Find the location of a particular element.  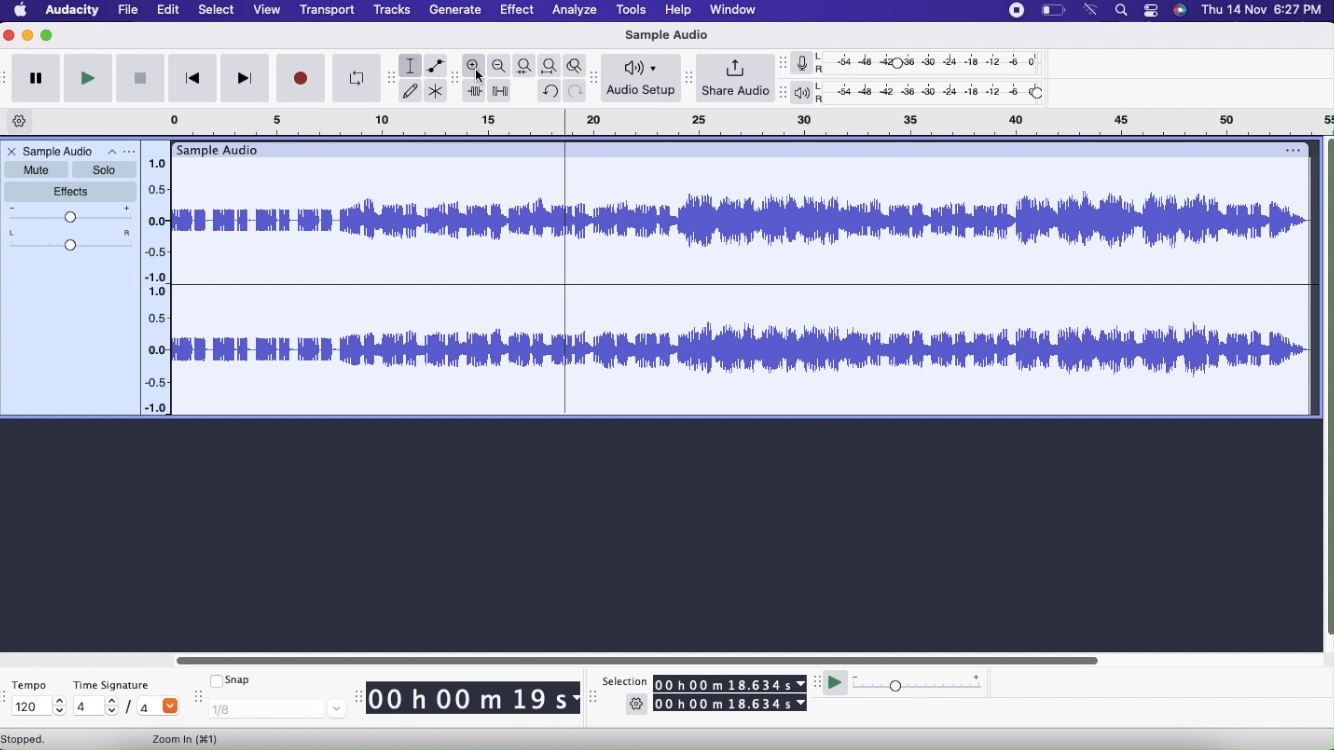

4 is located at coordinates (95, 707).